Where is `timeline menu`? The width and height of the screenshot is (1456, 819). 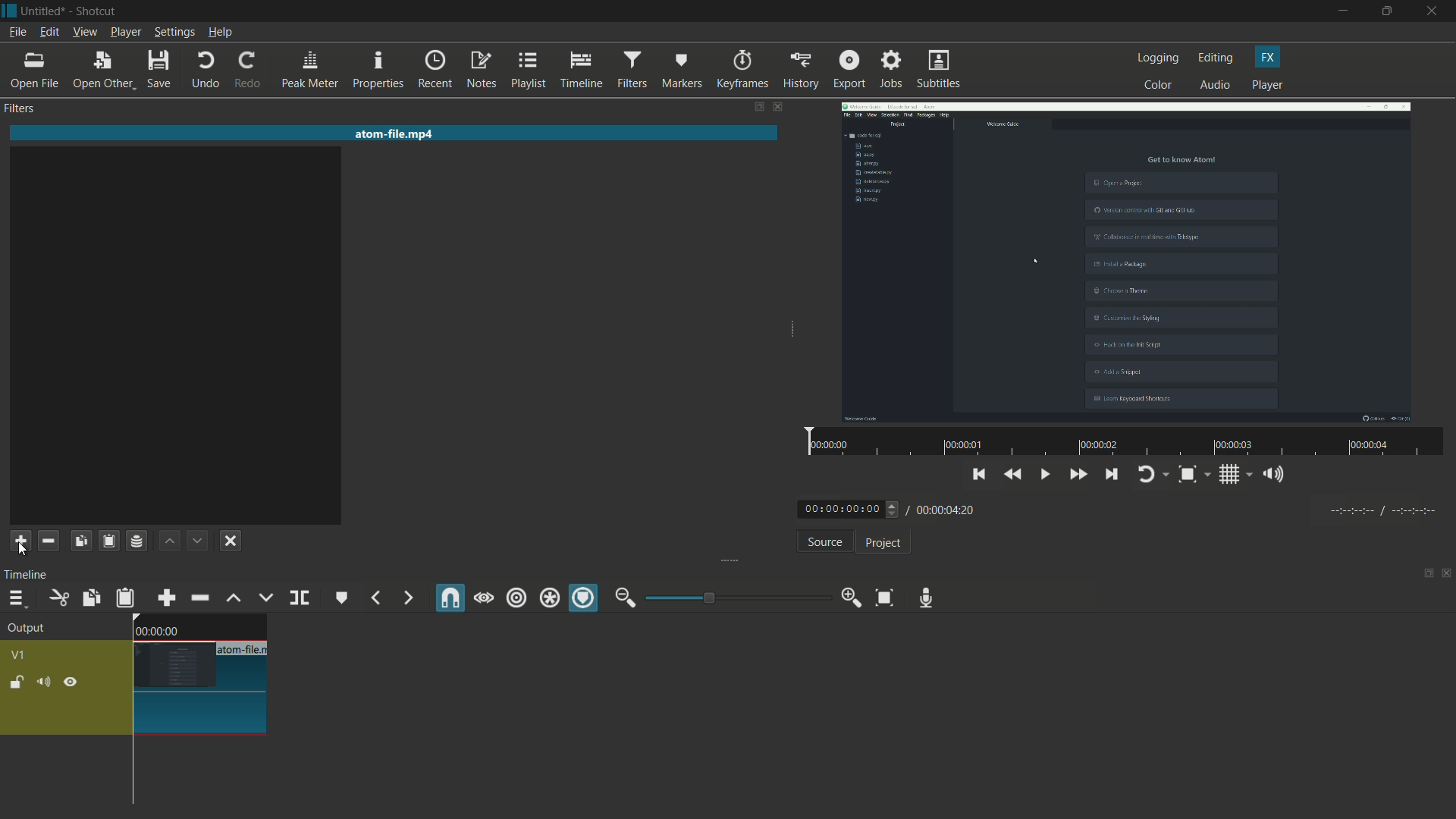
timeline menu is located at coordinates (17, 600).